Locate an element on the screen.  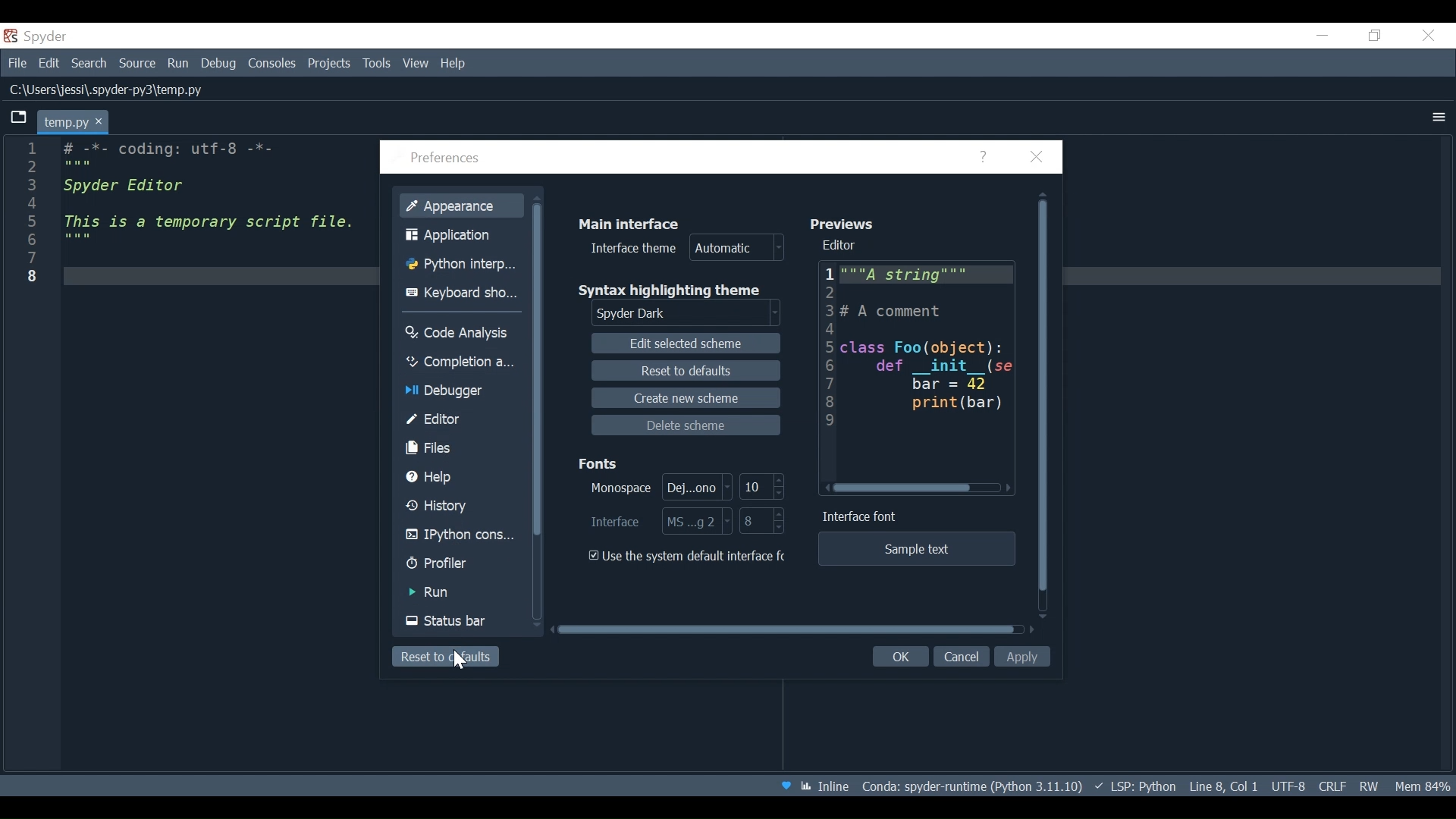
Select Interface theme is located at coordinates (688, 249).